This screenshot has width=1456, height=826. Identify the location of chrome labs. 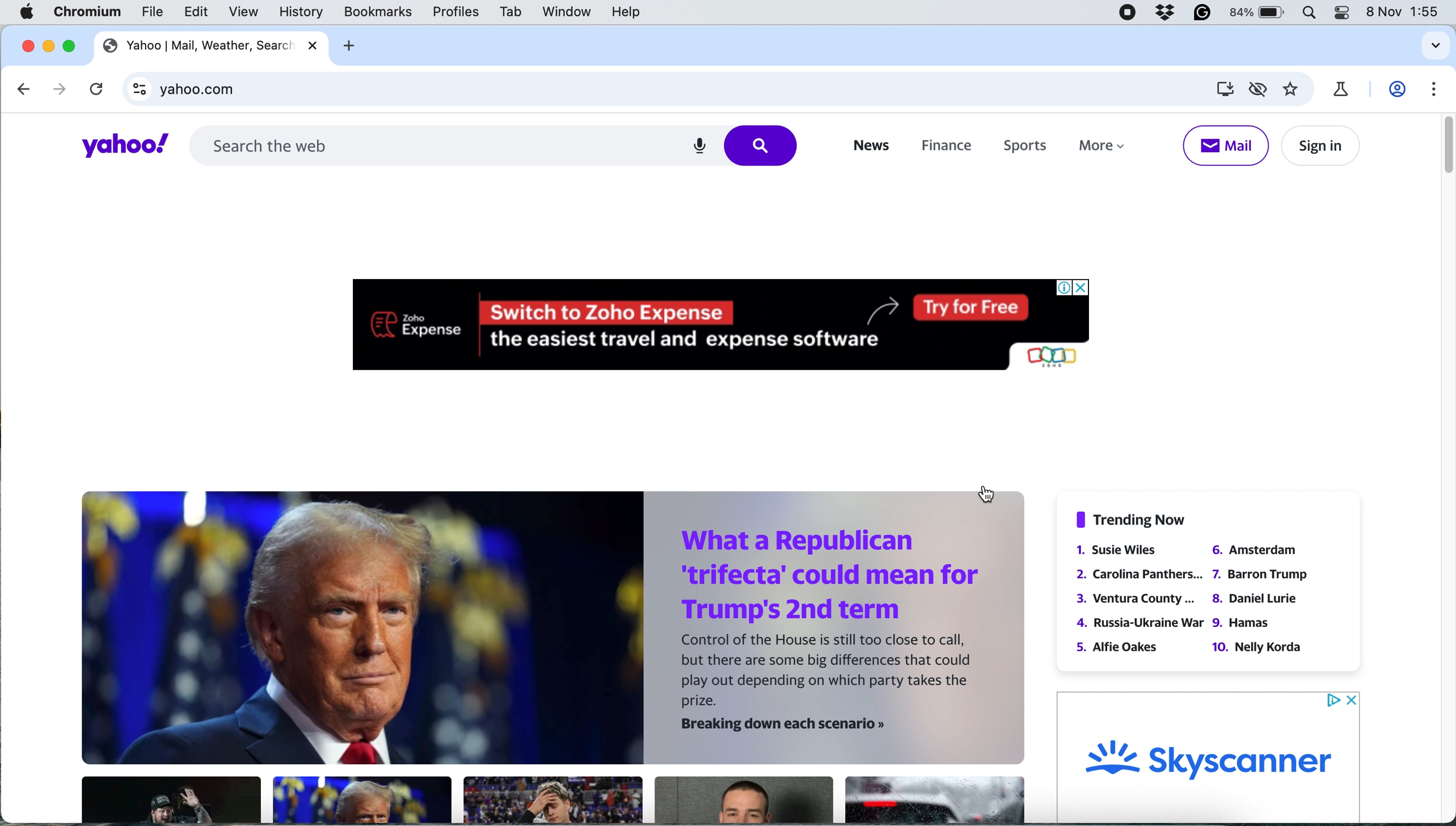
(1345, 91).